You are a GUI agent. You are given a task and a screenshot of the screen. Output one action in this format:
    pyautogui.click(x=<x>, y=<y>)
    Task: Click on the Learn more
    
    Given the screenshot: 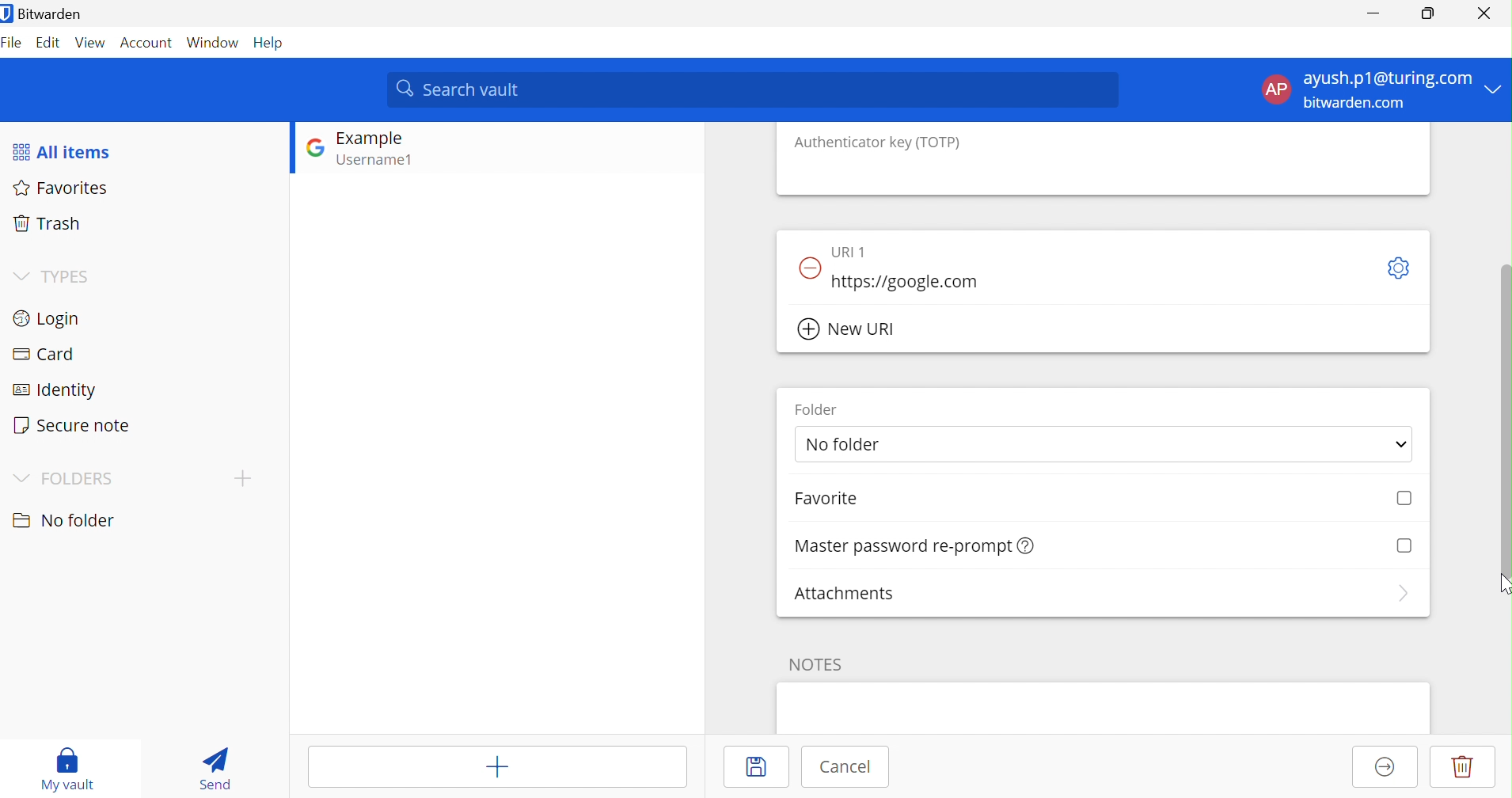 What is the action you would take?
    pyautogui.click(x=1028, y=545)
    